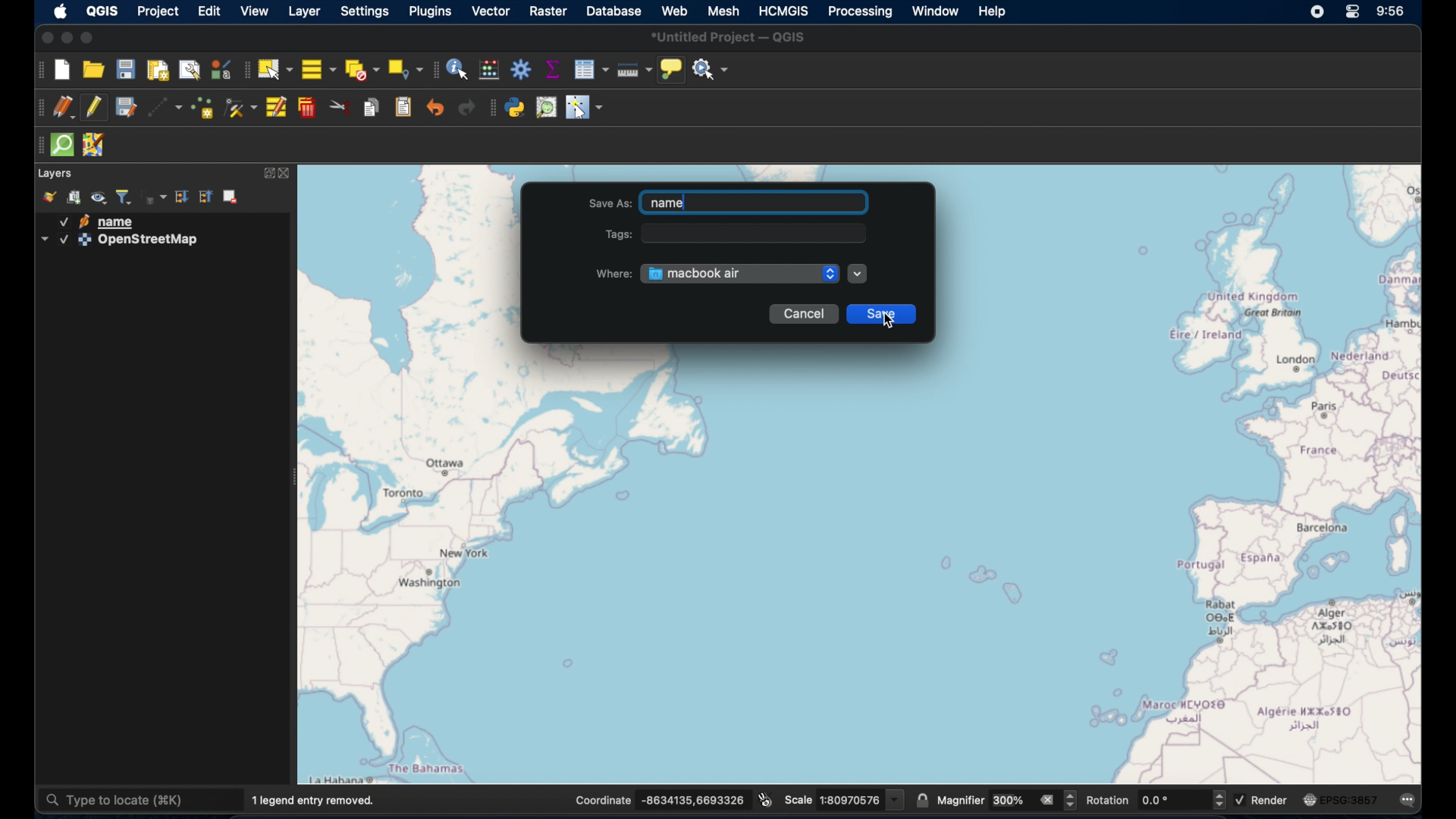  What do you see at coordinates (468, 110) in the screenshot?
I see `redo` at bounding box center [468, 110].